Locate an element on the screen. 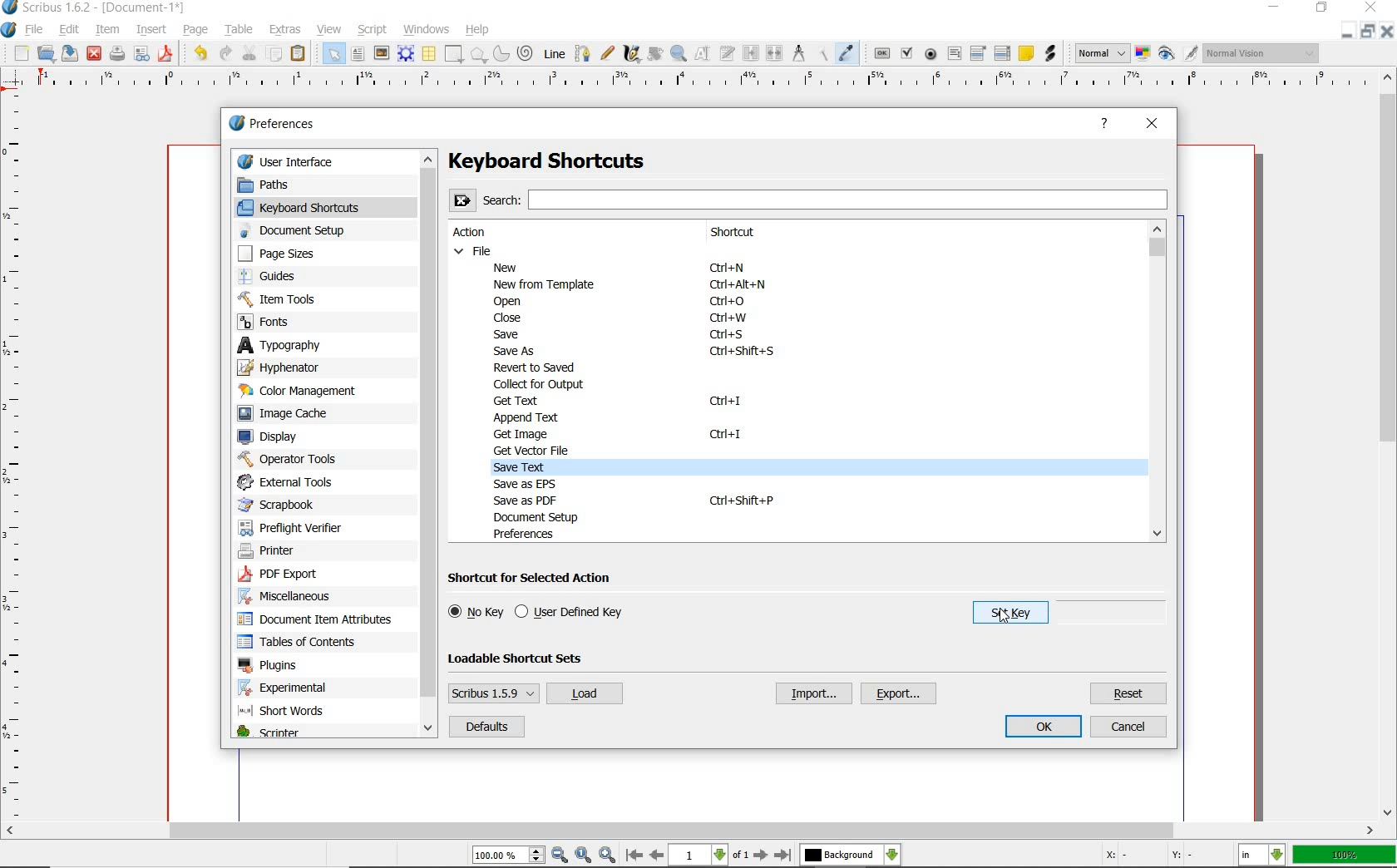  preferences is located at coordinates (277, 124).